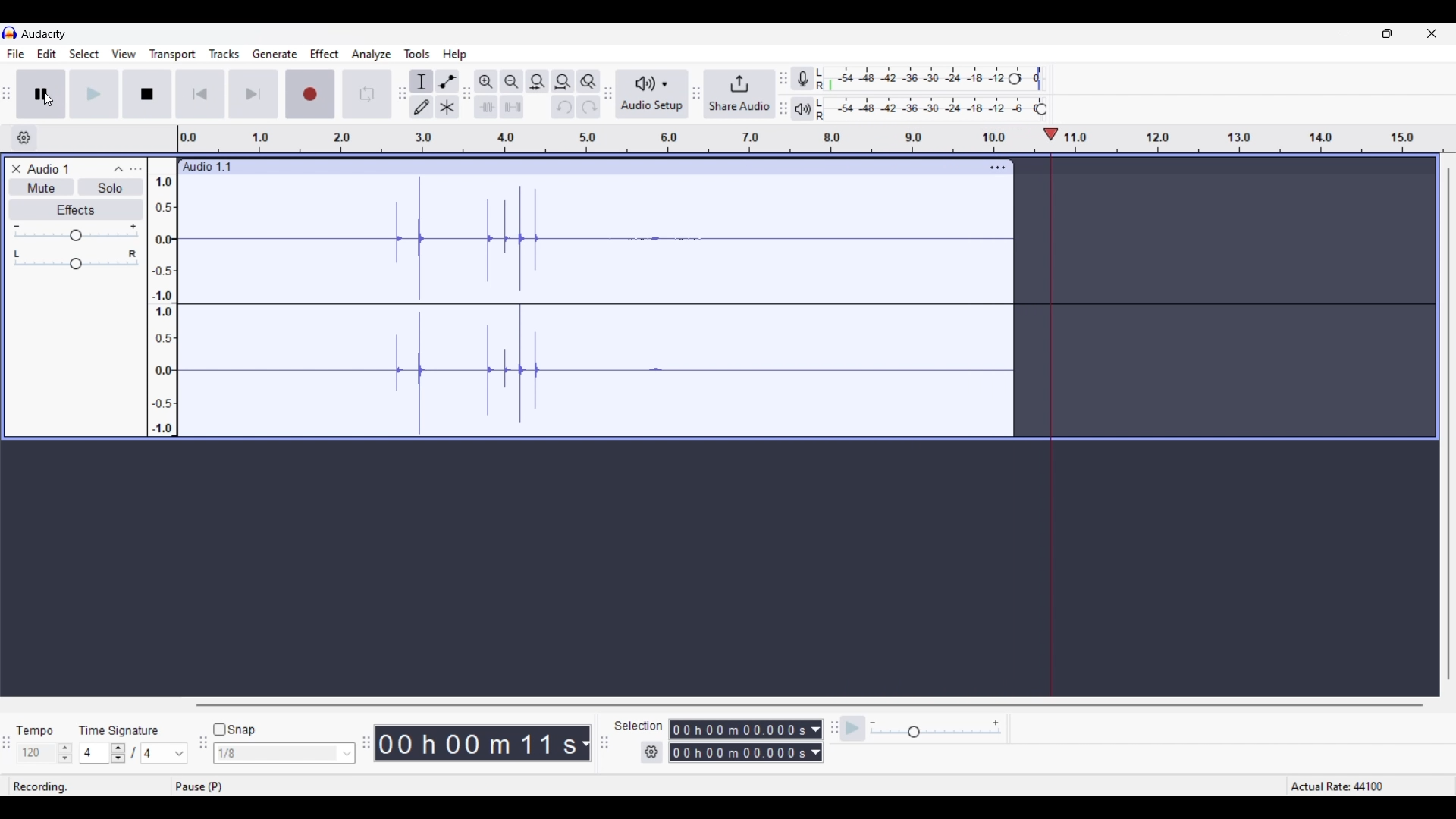  Describe the element at coordinates (538, 81) in the screenshot. I see `Fit selection to width` at that location.